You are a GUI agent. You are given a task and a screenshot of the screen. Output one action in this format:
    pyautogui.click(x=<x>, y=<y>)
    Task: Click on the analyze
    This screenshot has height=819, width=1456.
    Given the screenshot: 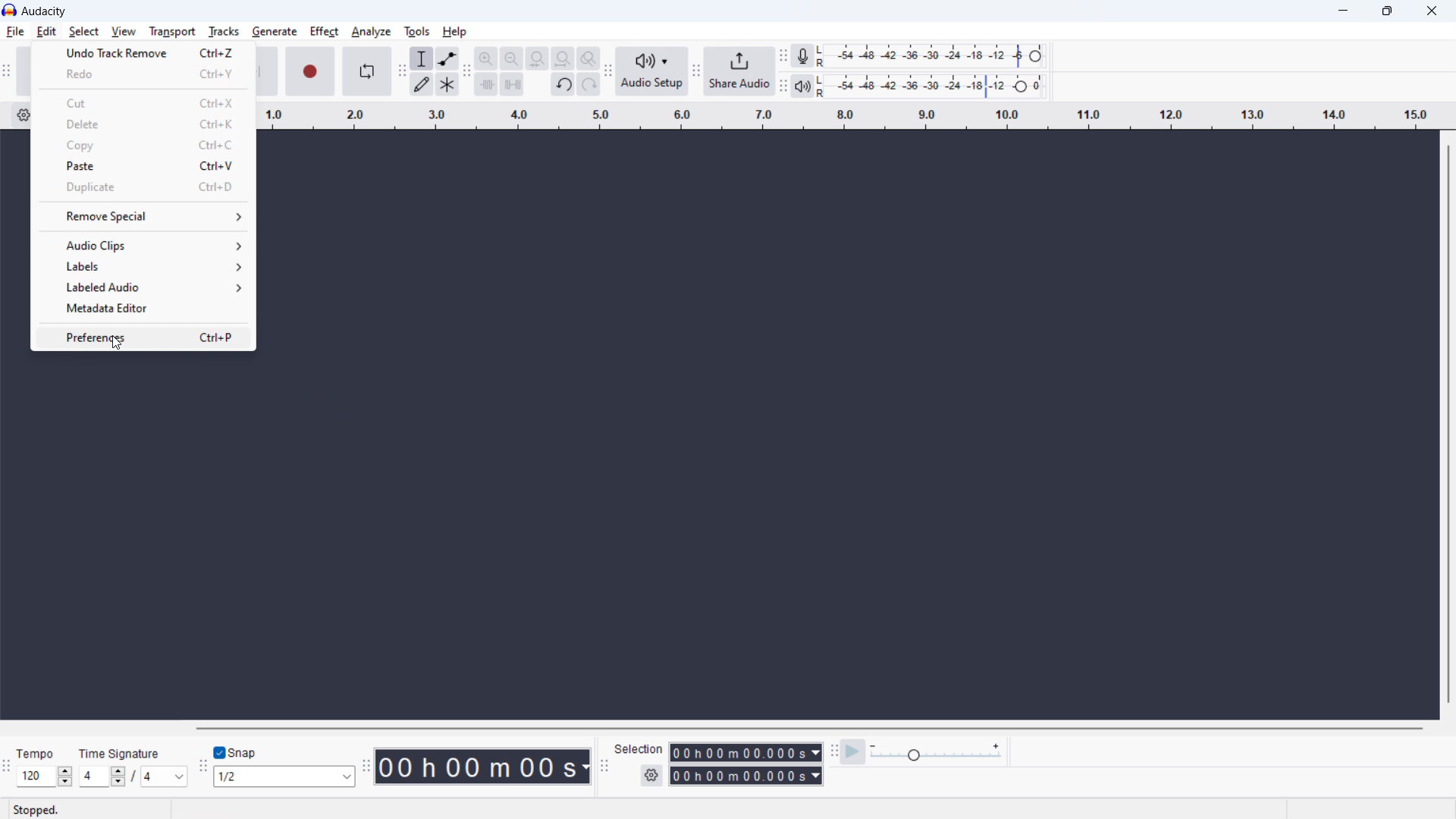 What is the action you would take?
    pyautogui.click(x=370, y=32)
    